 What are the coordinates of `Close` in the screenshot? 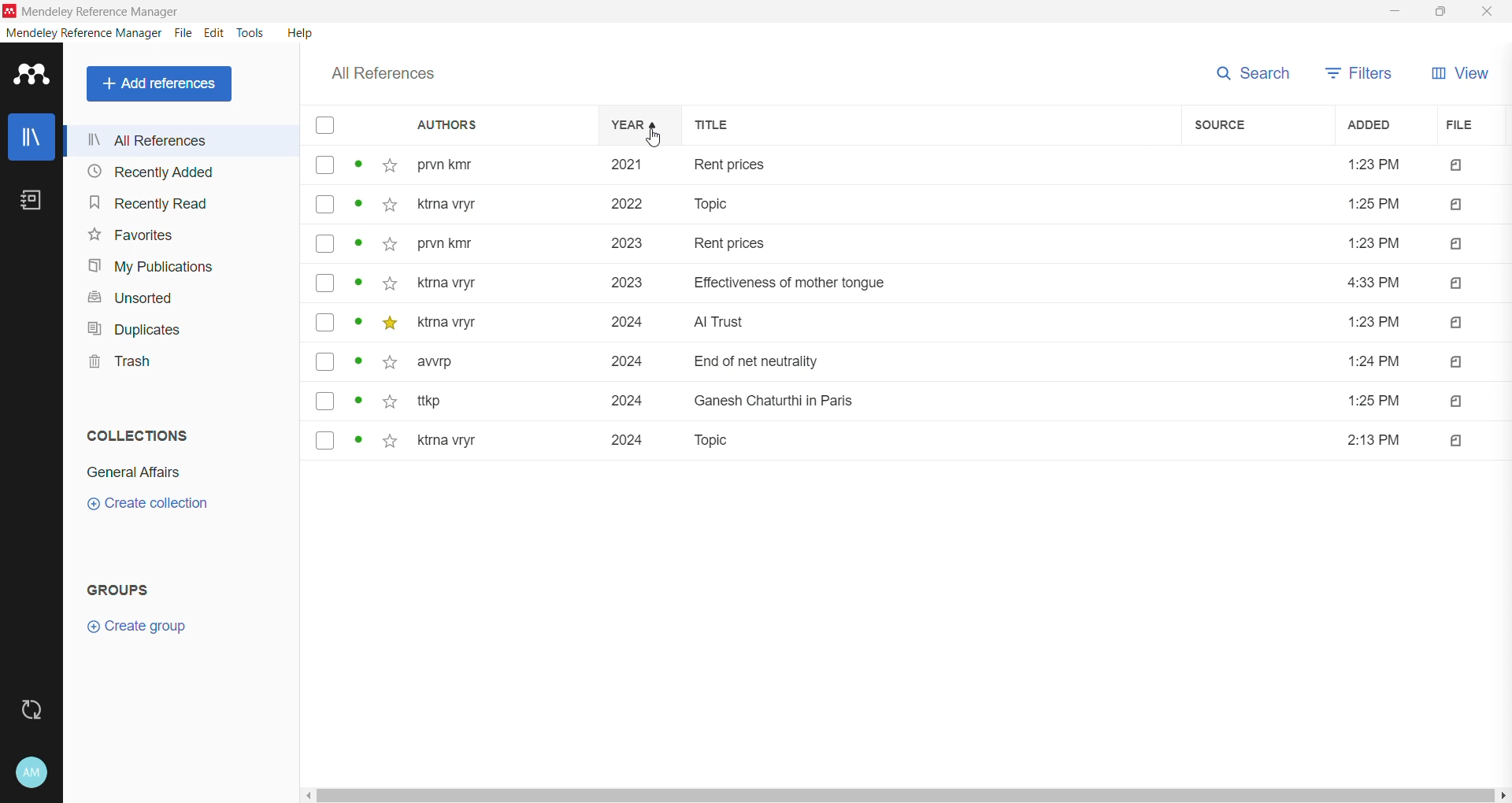 It's located at (1490, 12).